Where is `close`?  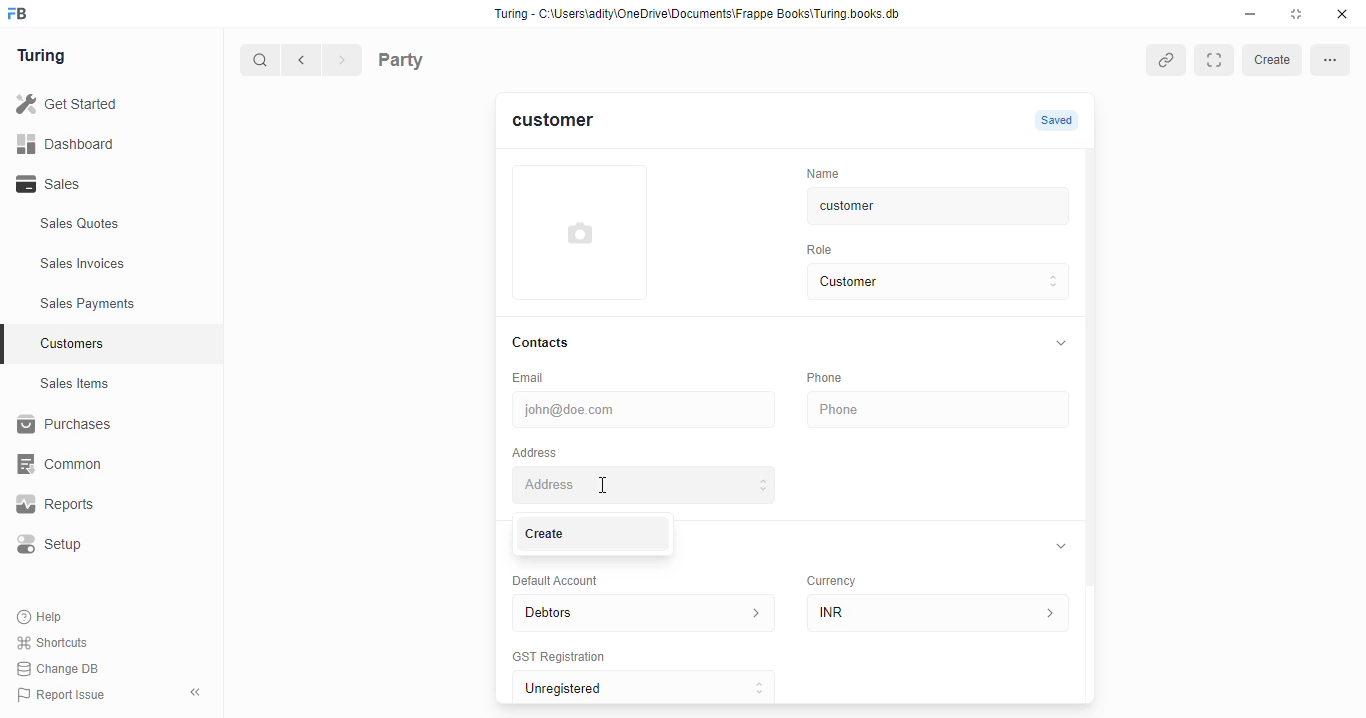 close is located at coordinates (1345, 14).